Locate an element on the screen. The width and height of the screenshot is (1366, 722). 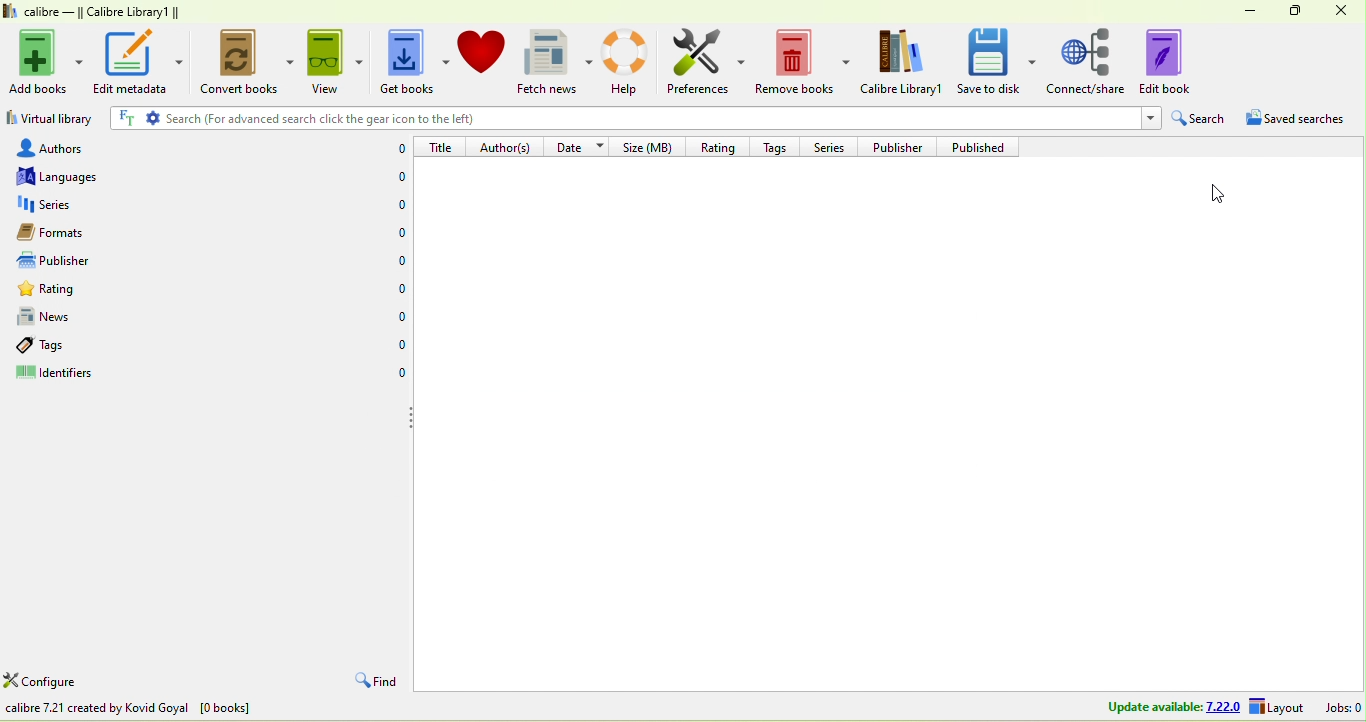
series is located at coordinates (84, 205).